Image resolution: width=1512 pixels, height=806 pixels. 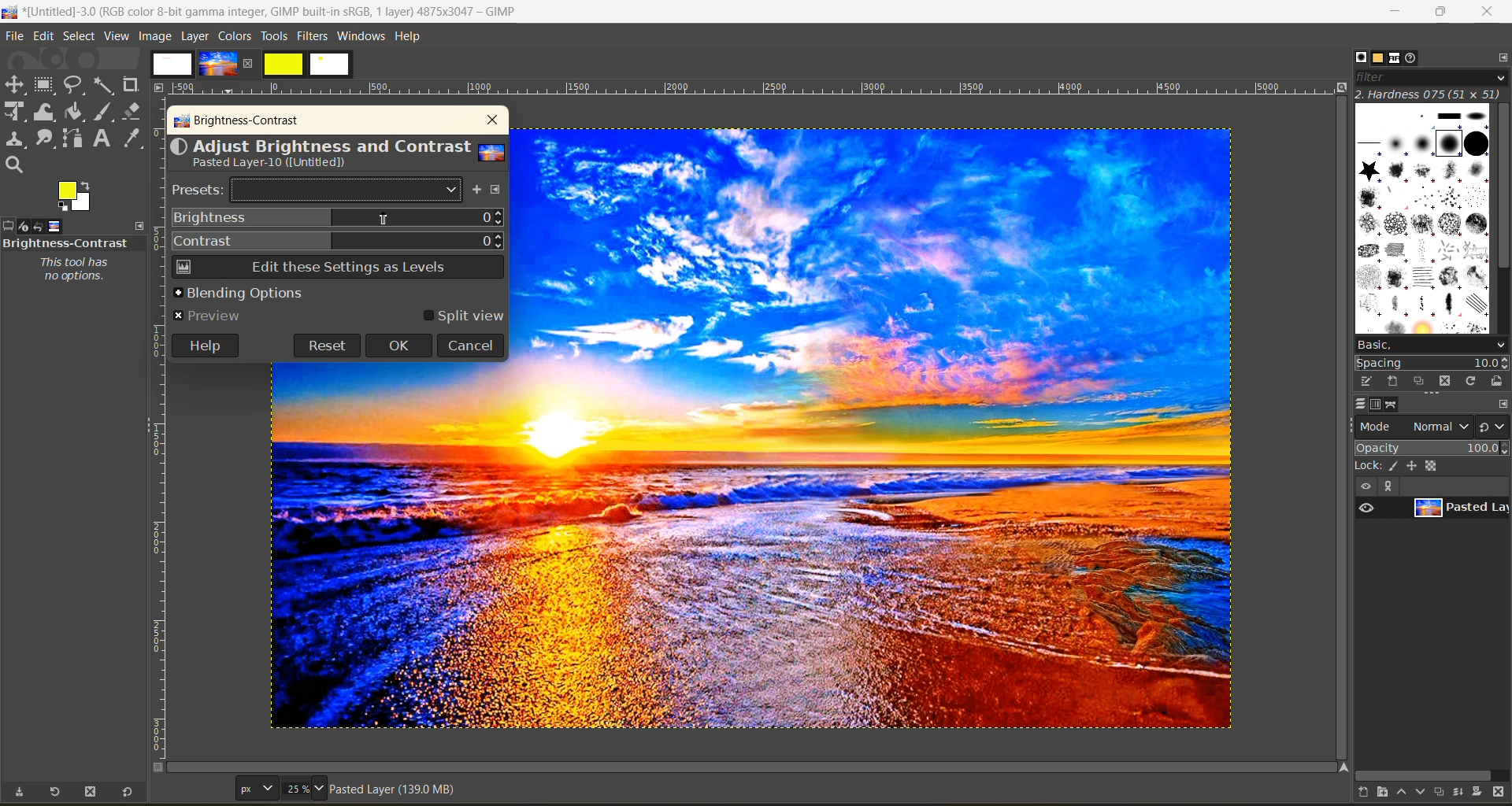 I want to click on images, so click(x=55, y=224).